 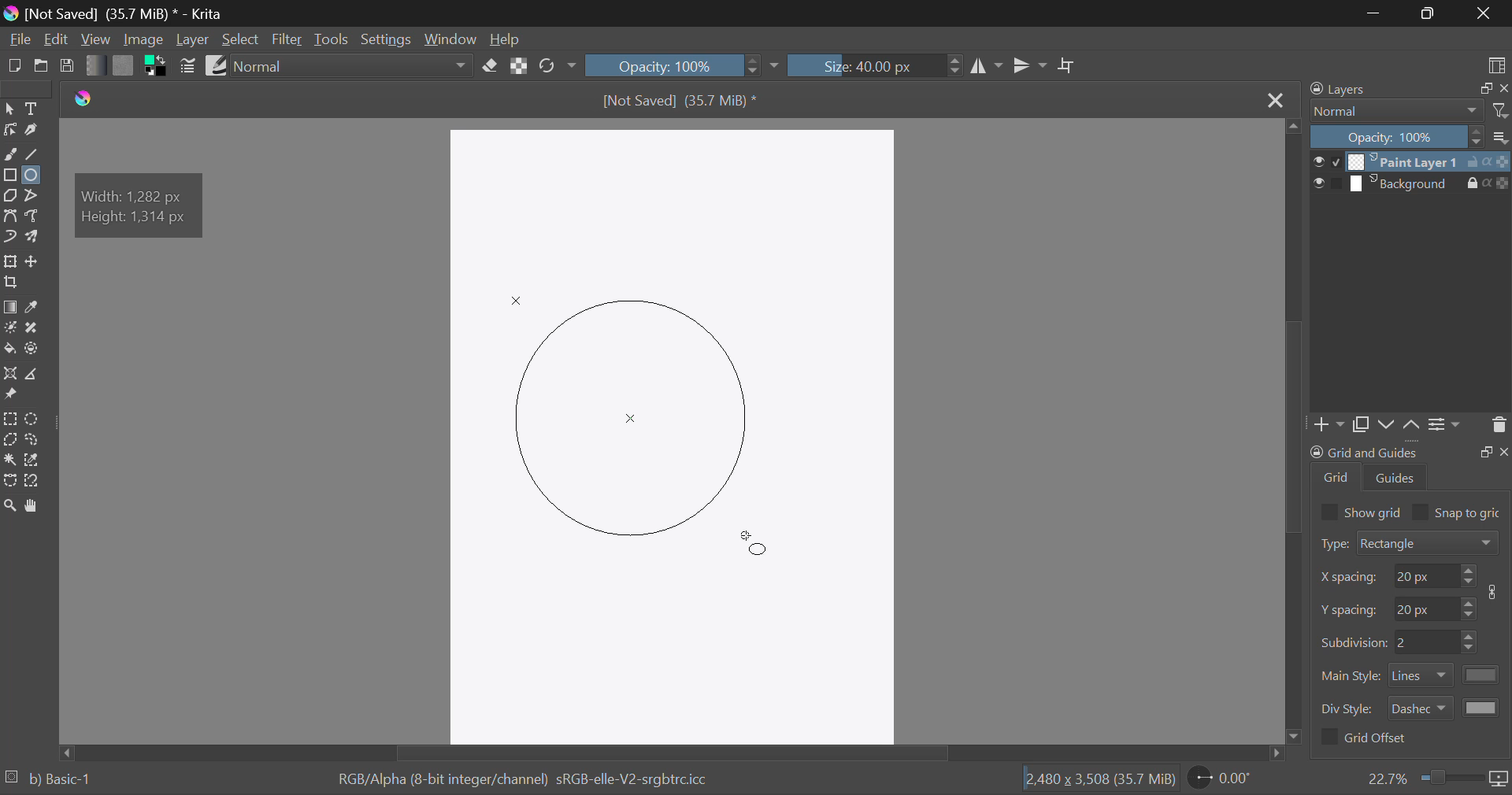 I want to click on Gradient Fill, so click(x=11, y=307).